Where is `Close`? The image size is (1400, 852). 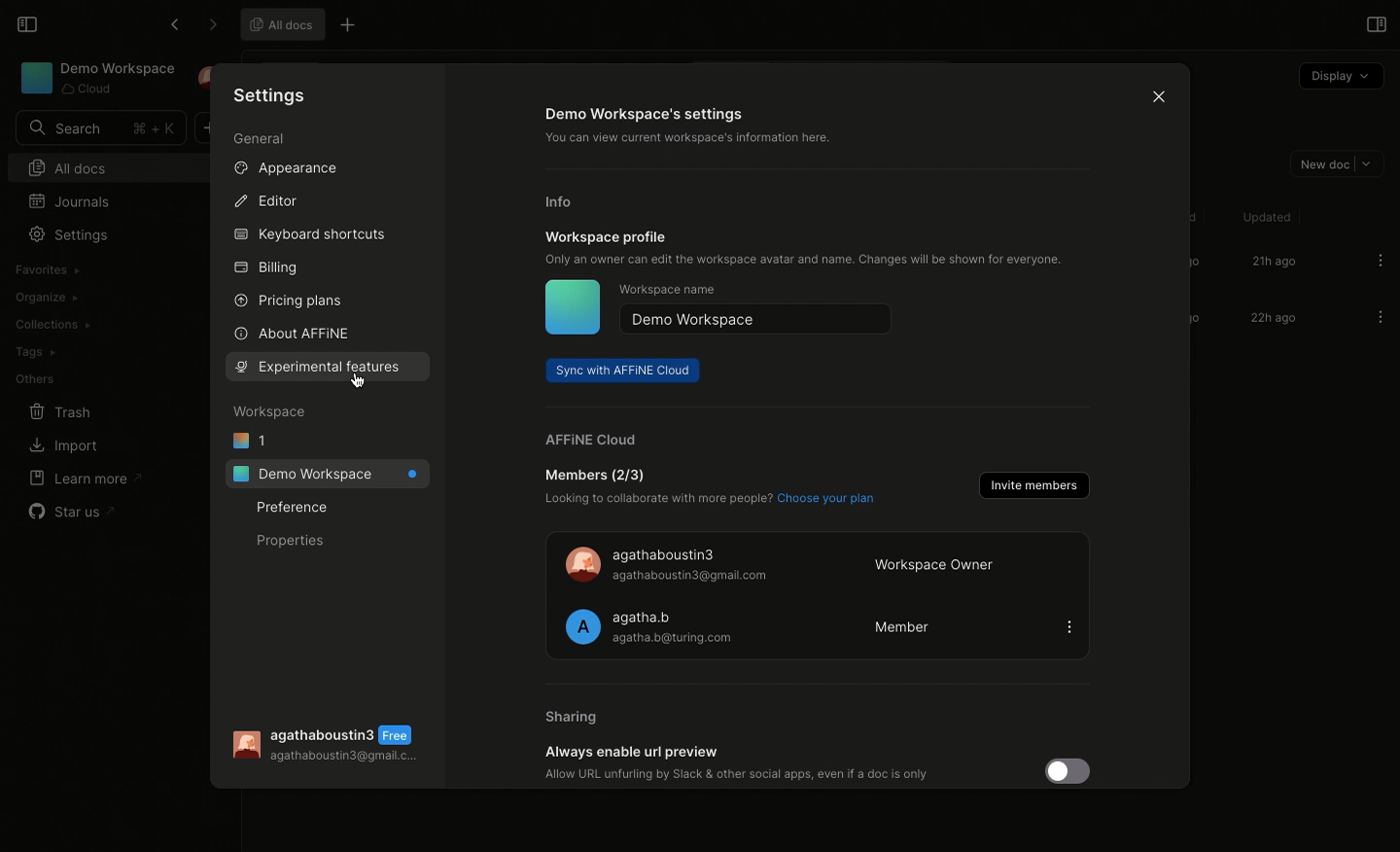
Close is located at coordinates (1154, 94).